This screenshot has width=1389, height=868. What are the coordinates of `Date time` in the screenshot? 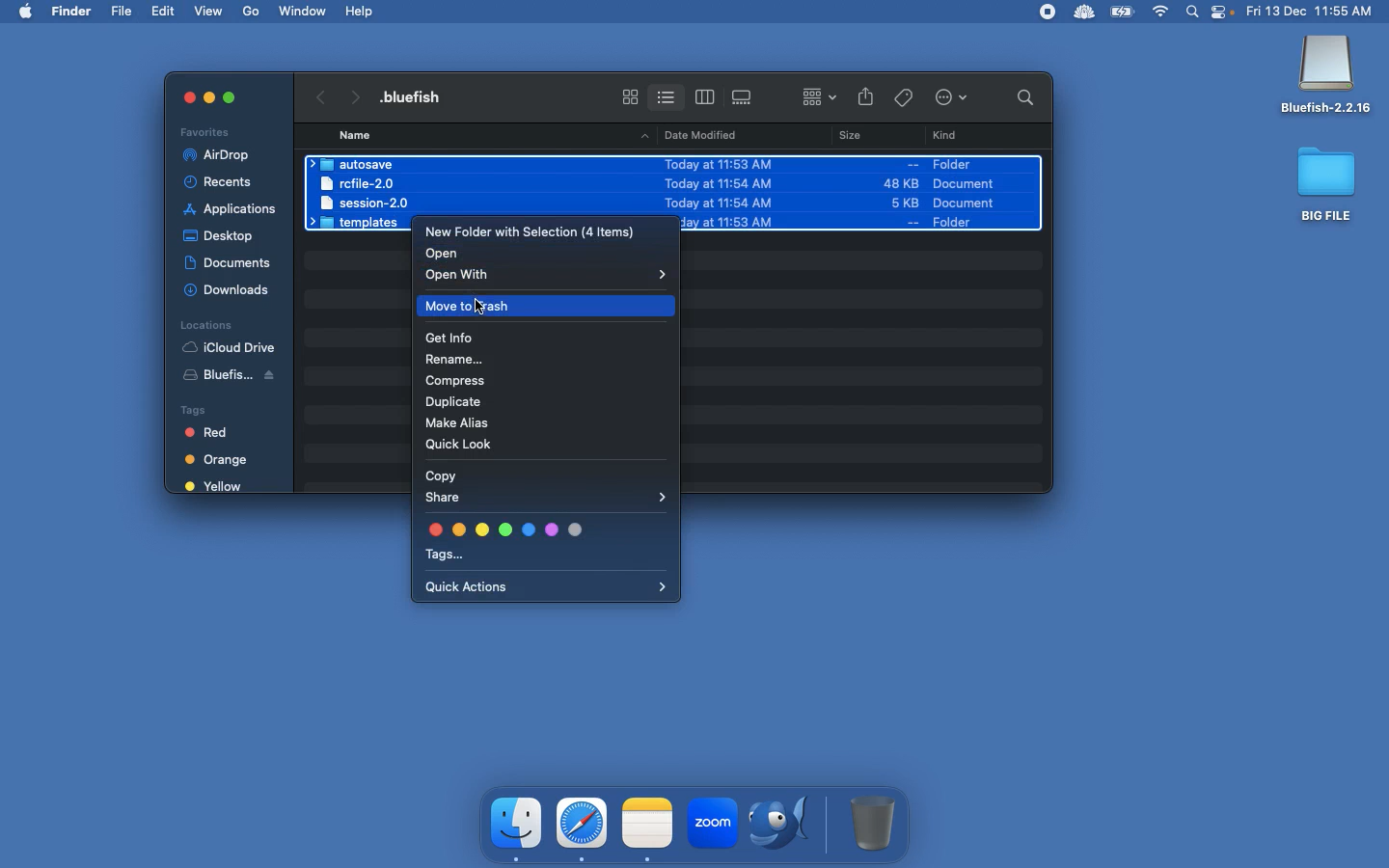 It's located at (1316, 11).